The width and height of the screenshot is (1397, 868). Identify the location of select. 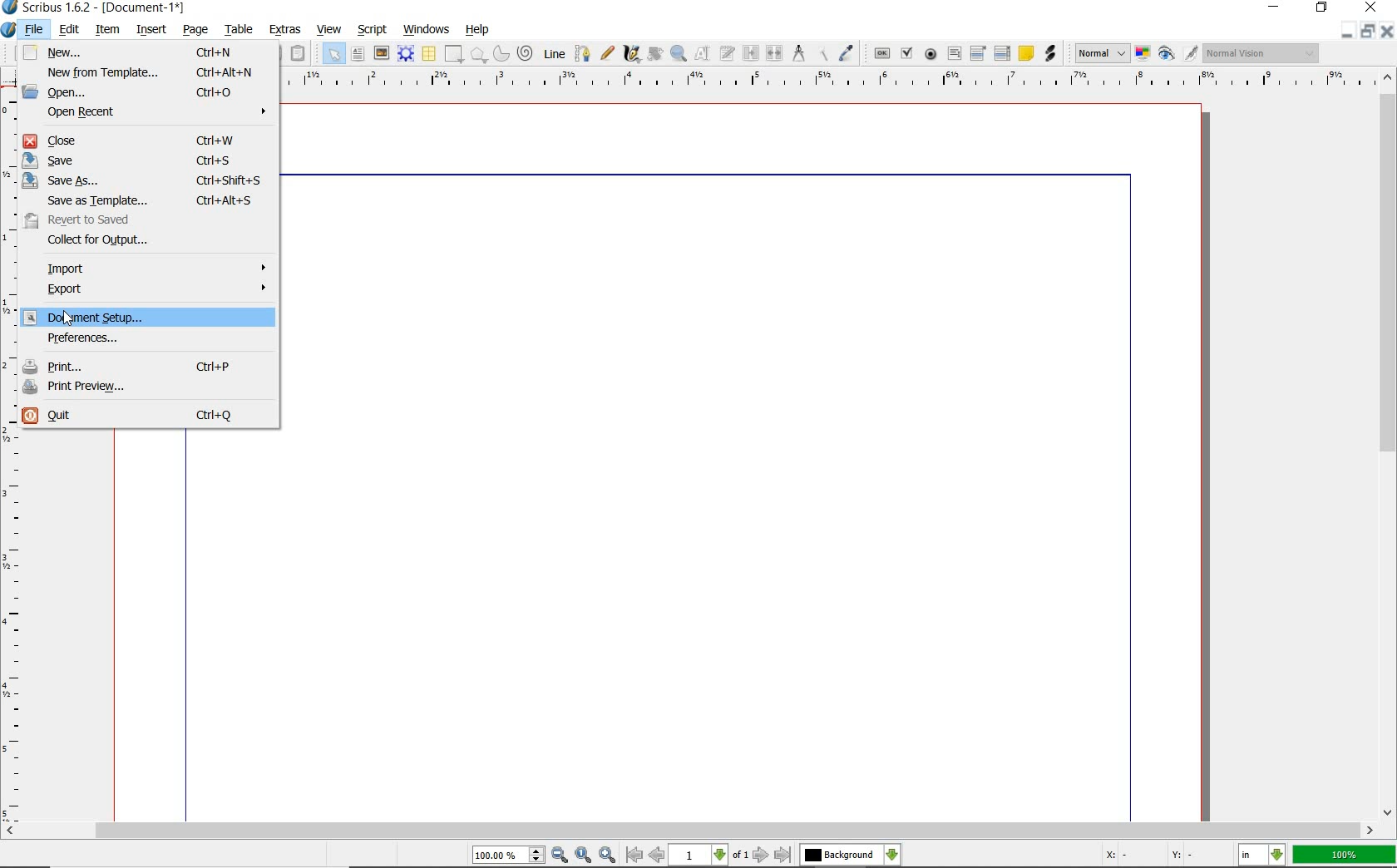
(335, 53).